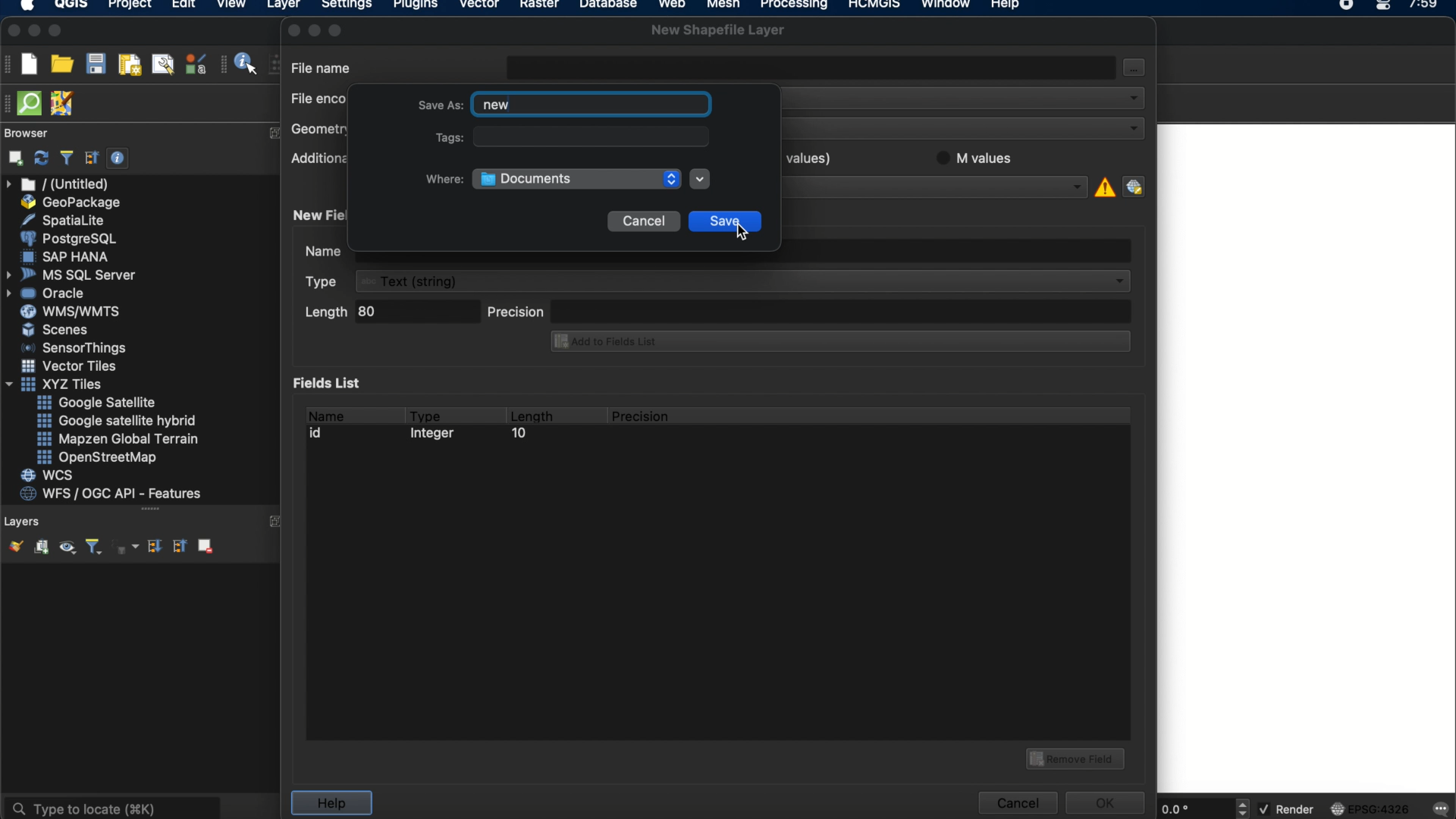  I want to click on filter browser, so click(66, 158).